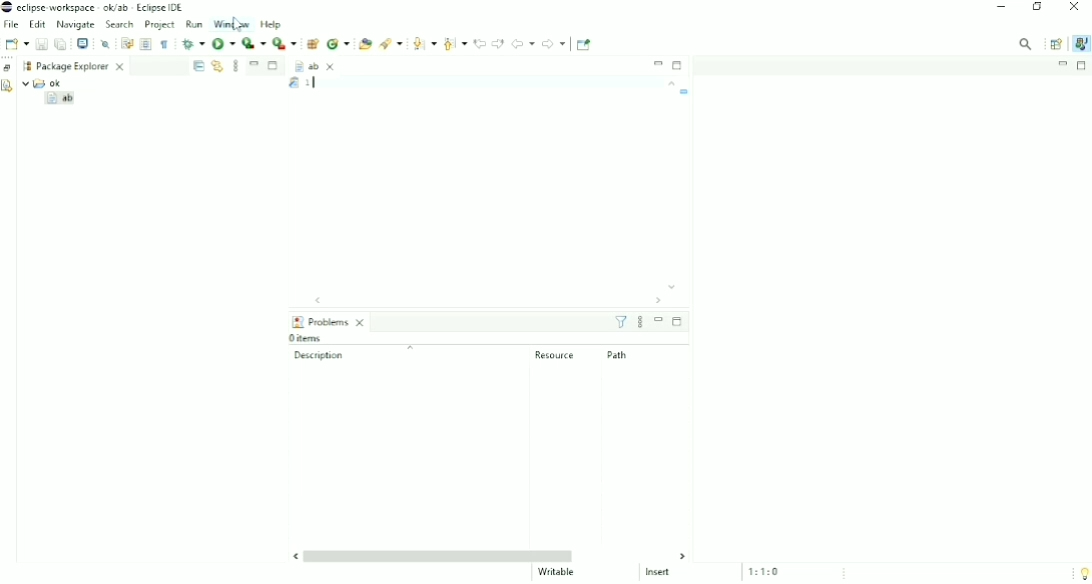 This screenshot has width=1092, height=584. I want to click on Save All, so click(61, 44).